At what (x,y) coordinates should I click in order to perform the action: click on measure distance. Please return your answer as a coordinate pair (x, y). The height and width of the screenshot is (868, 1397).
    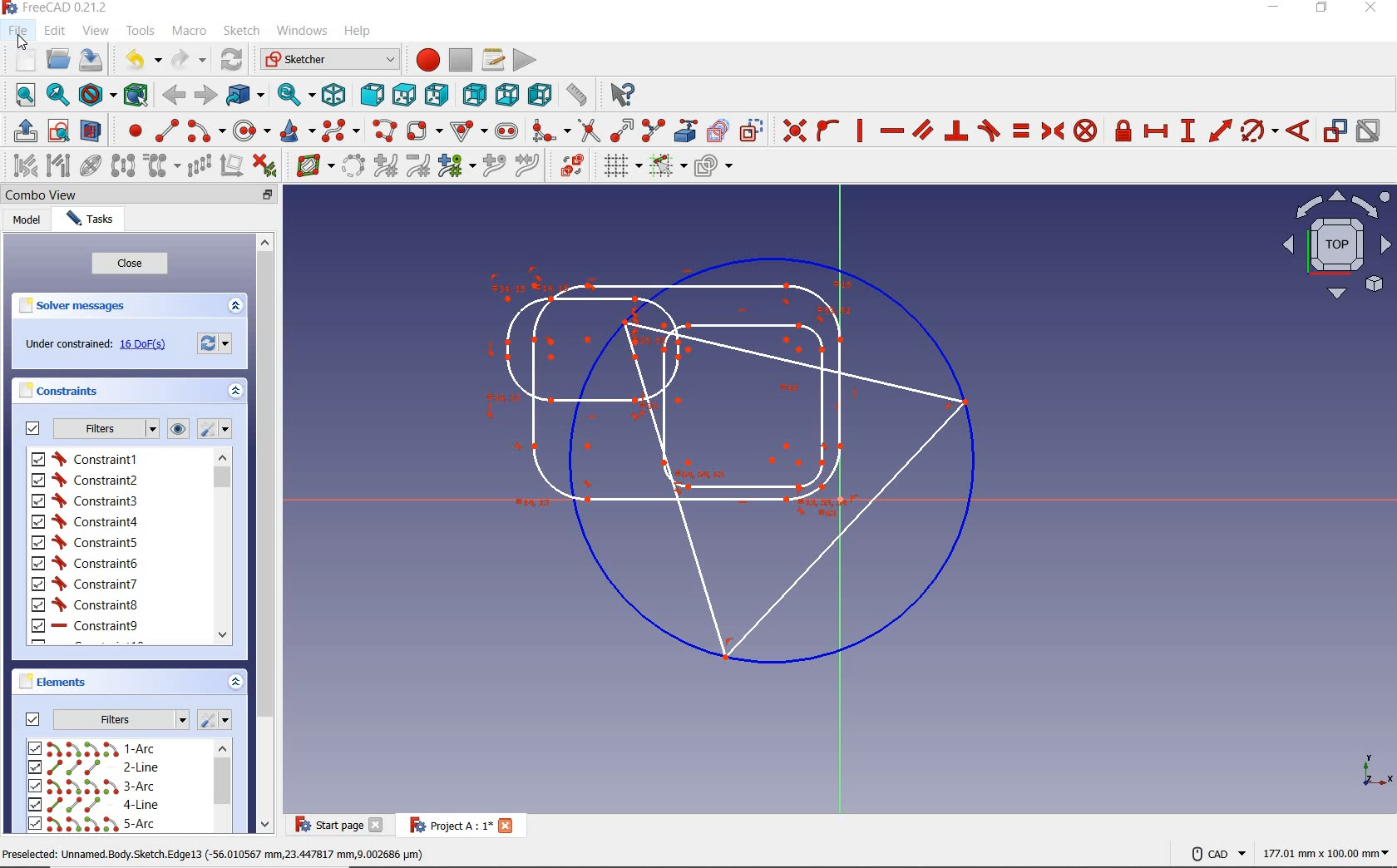
    Looking at the image, I should click on (579, 94).